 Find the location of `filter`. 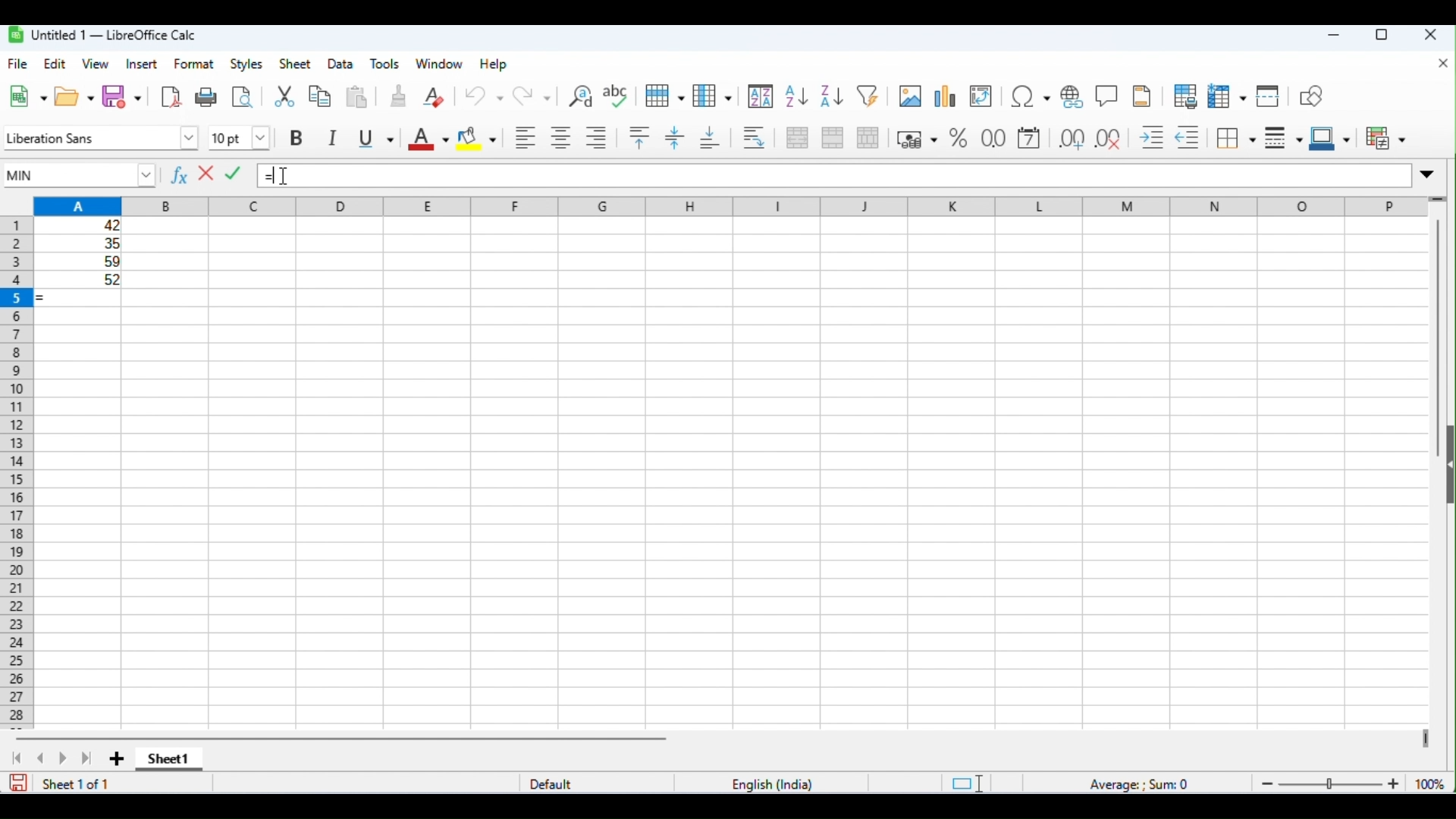

filter is located at coordinates (868, 95).